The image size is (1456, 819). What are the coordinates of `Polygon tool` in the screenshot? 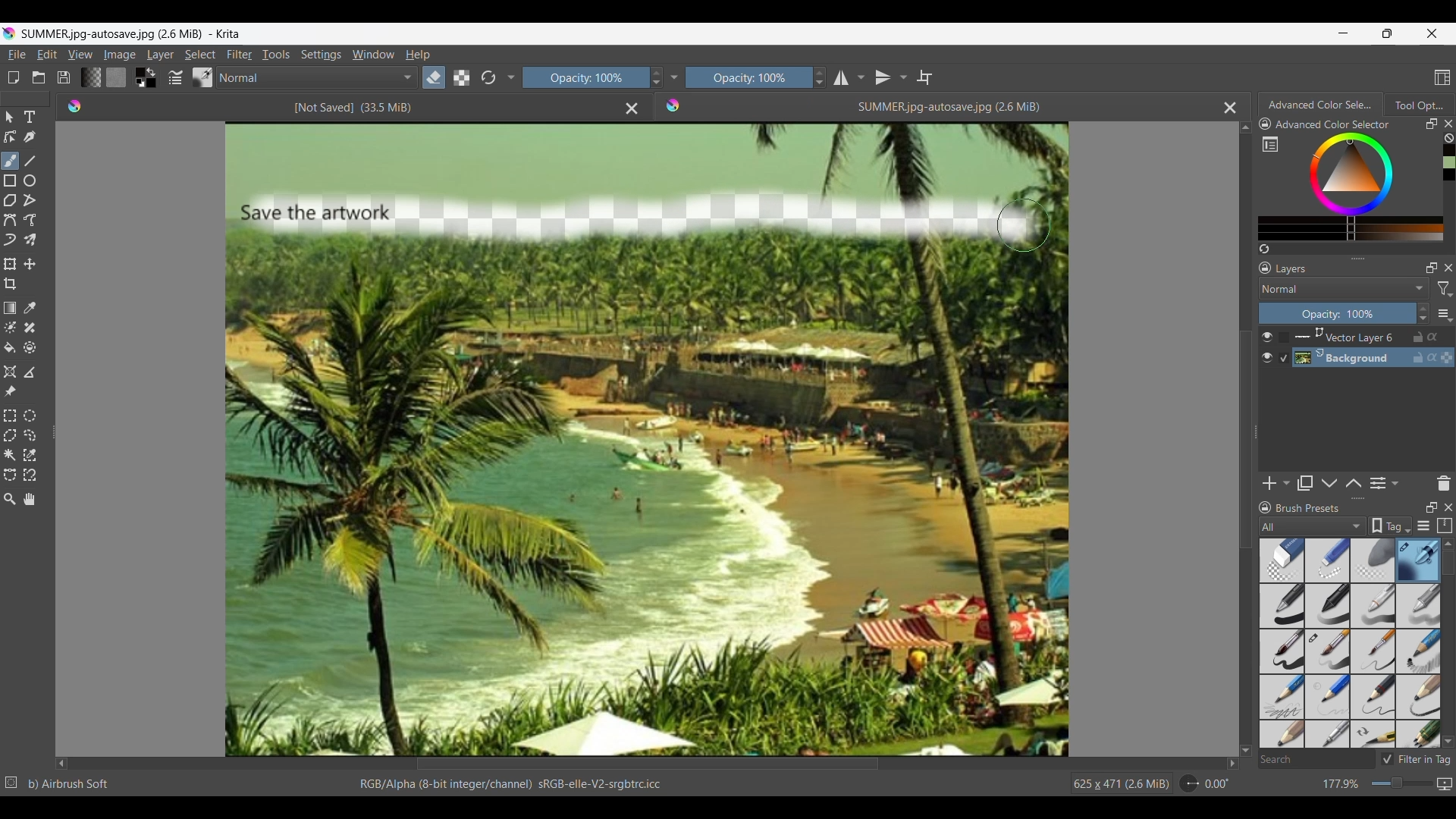 It's located at (11, 200).